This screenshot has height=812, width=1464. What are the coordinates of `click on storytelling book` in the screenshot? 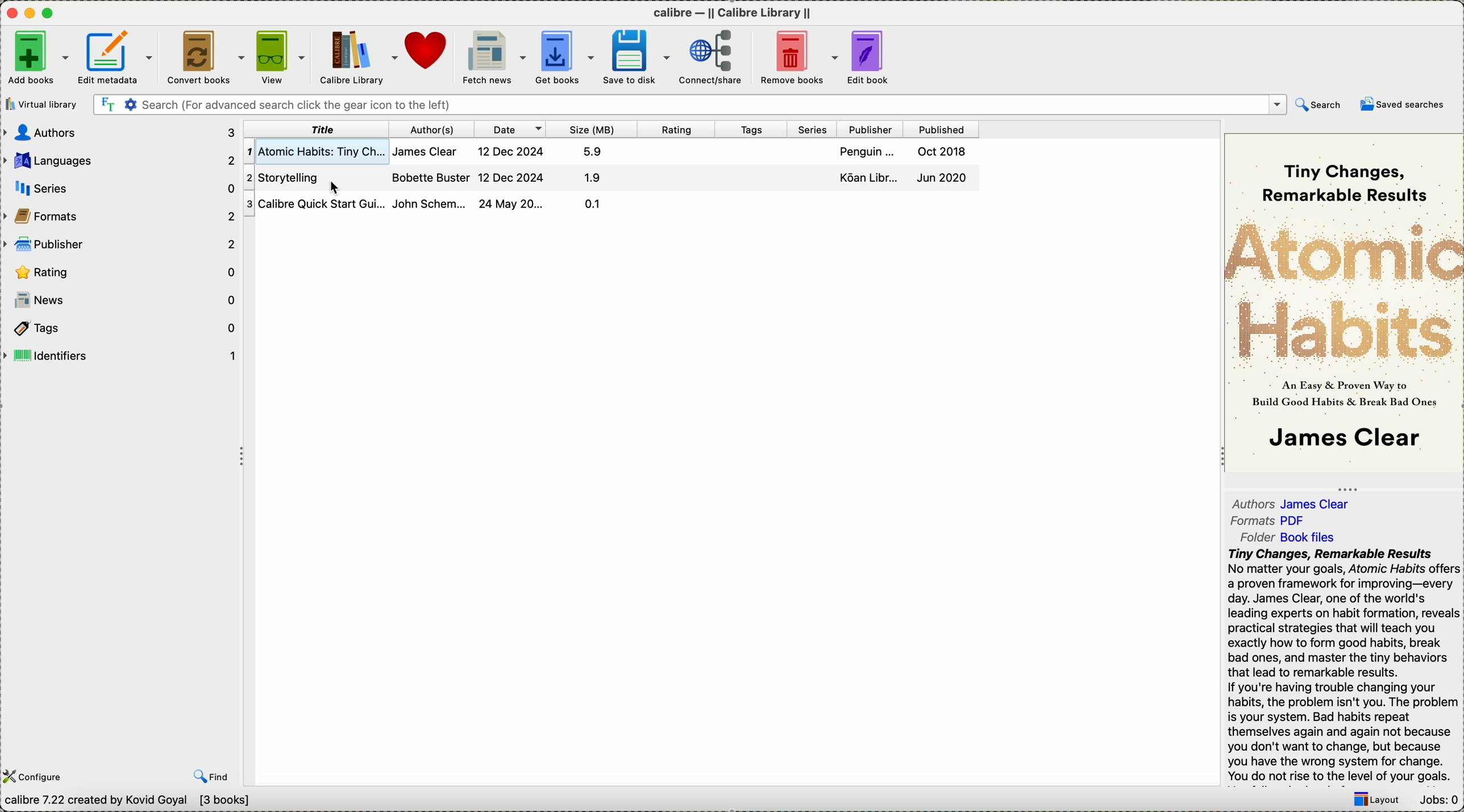 It's located at (610, 177).